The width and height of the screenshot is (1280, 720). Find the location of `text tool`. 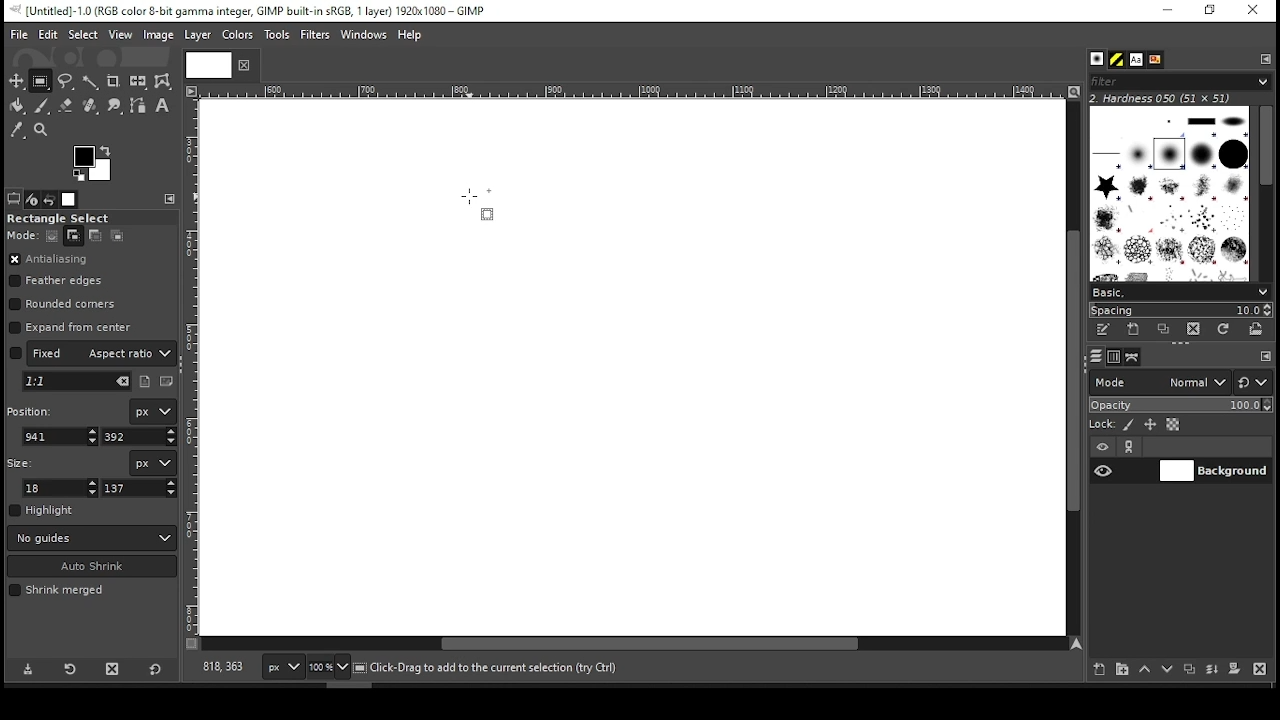

text tool is located at coordinates (162, 107).